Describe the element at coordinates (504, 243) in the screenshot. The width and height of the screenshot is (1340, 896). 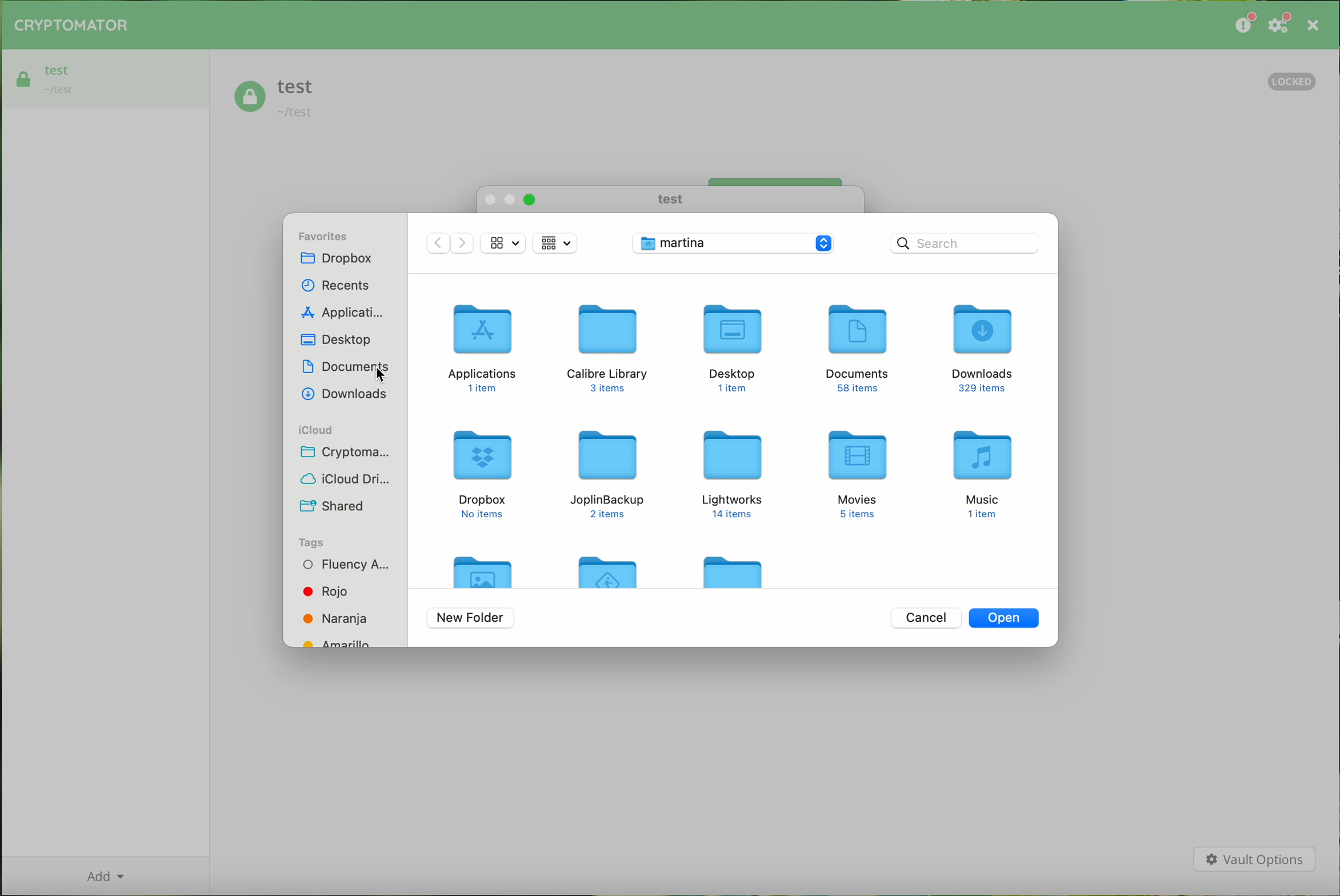
I see `grid view` at that location.